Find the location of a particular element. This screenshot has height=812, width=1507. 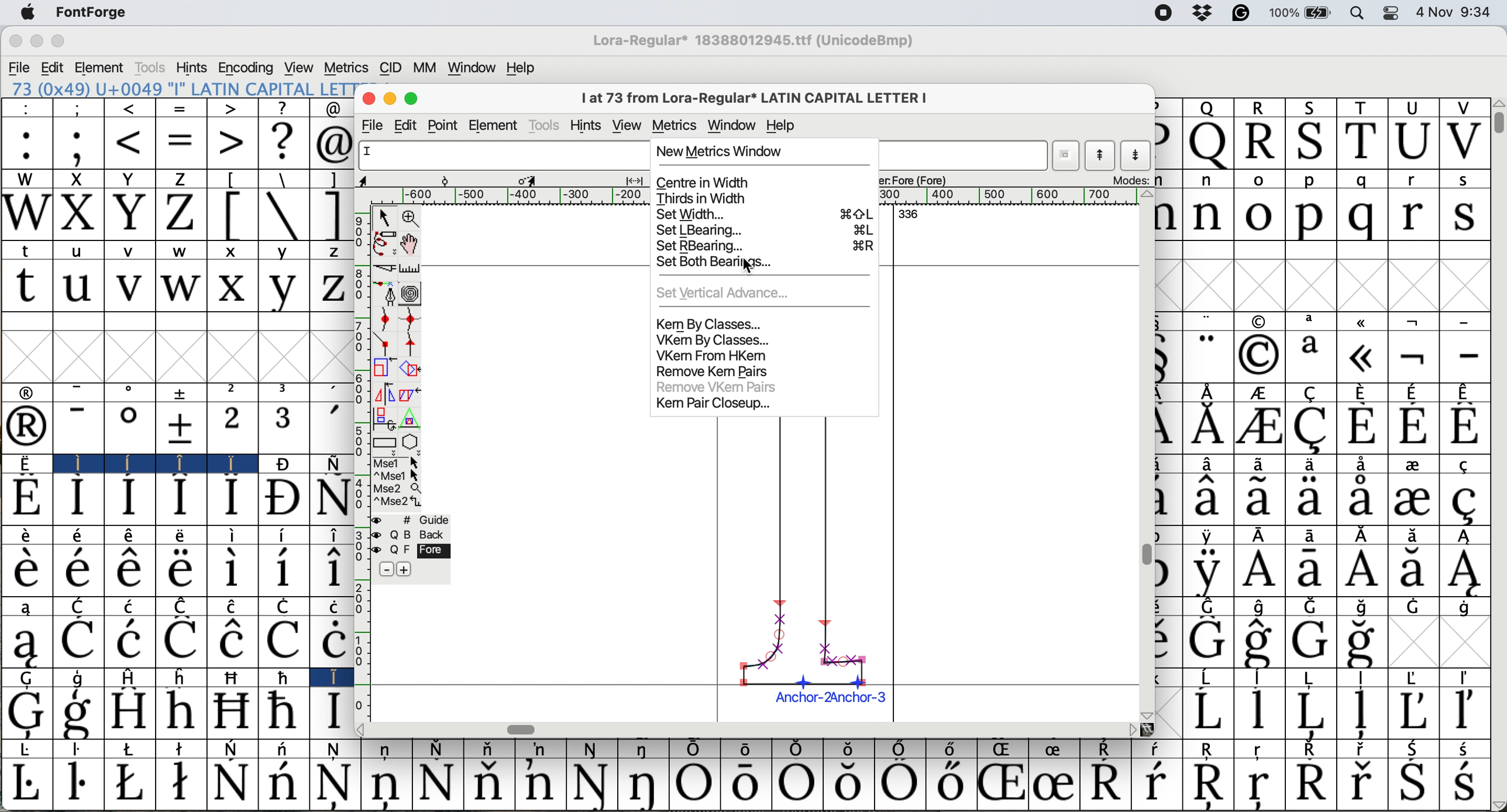

vkem from hkem is located at coordinates (709, 356).